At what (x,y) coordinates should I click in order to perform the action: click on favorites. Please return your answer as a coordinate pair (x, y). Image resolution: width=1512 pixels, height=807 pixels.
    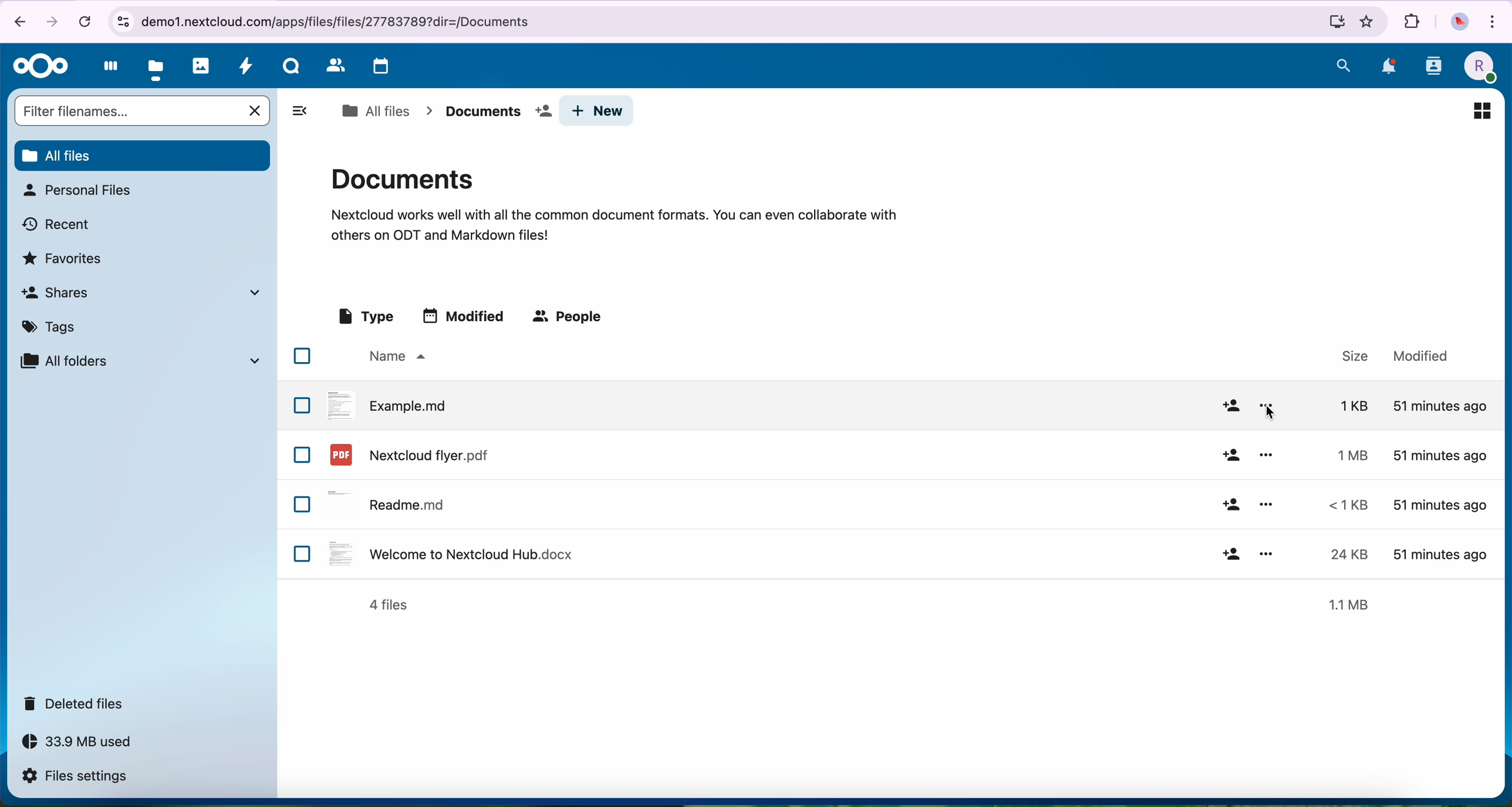
    Looking at the image, I should click on (65, 257).